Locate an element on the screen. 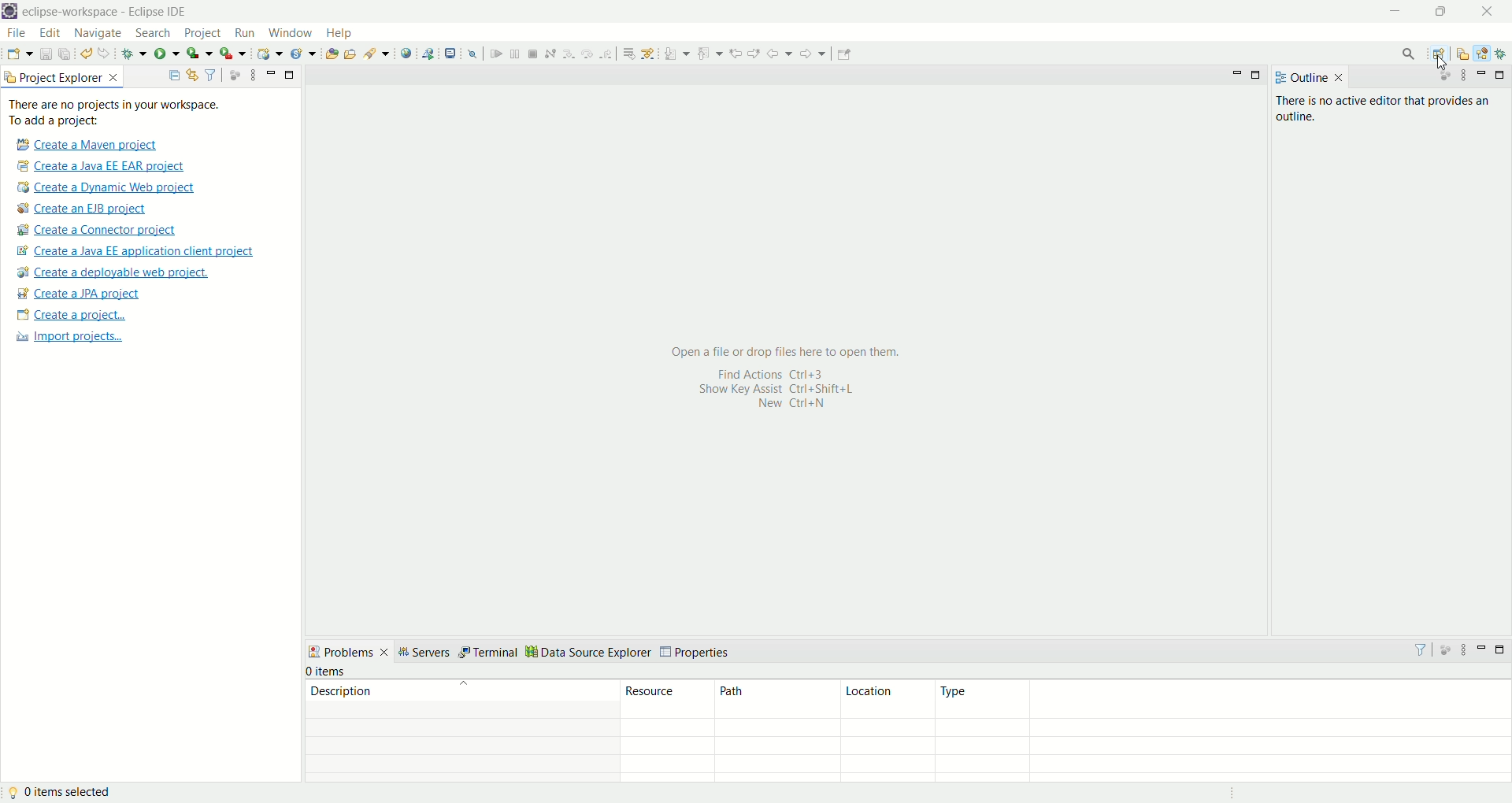  drop to frame is located at coordinates (627, 55).